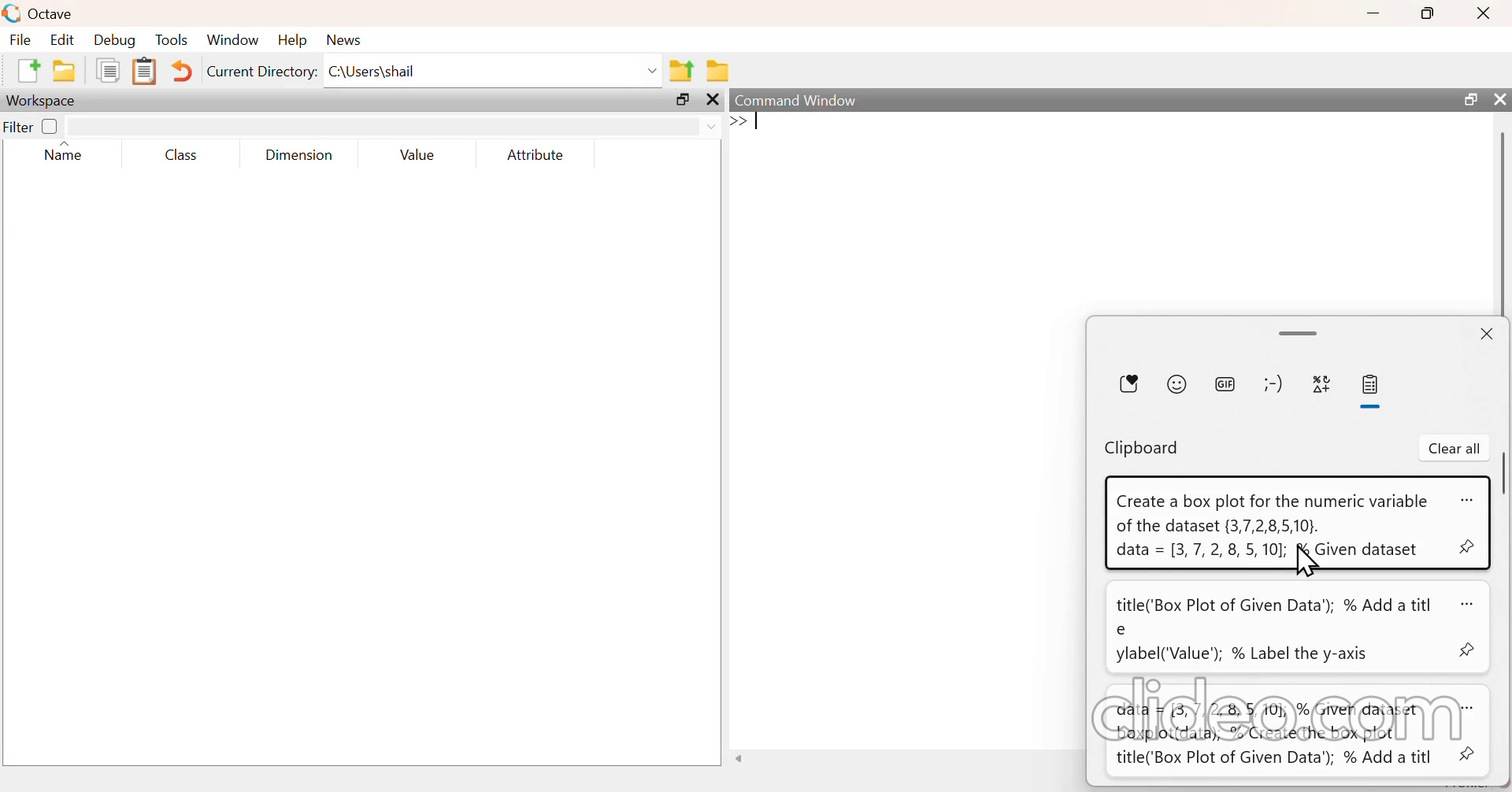  I want to click on close, so click(1501, 100).